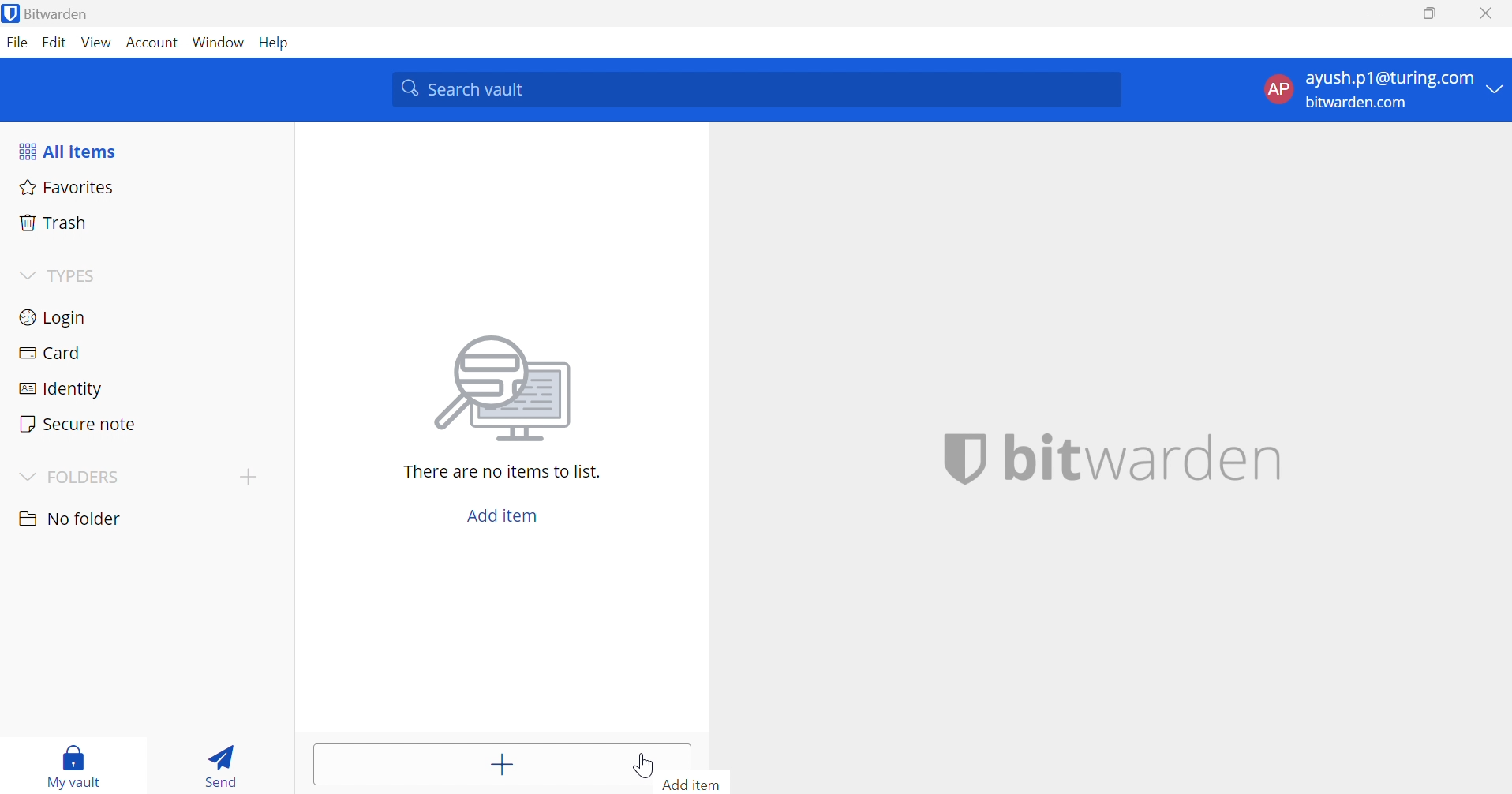 This screenshot has height=794, width=1512. What do you see at coordinates (69, 189) in the screenshot?
I see `Favourites` at bounding box center [69, 189].